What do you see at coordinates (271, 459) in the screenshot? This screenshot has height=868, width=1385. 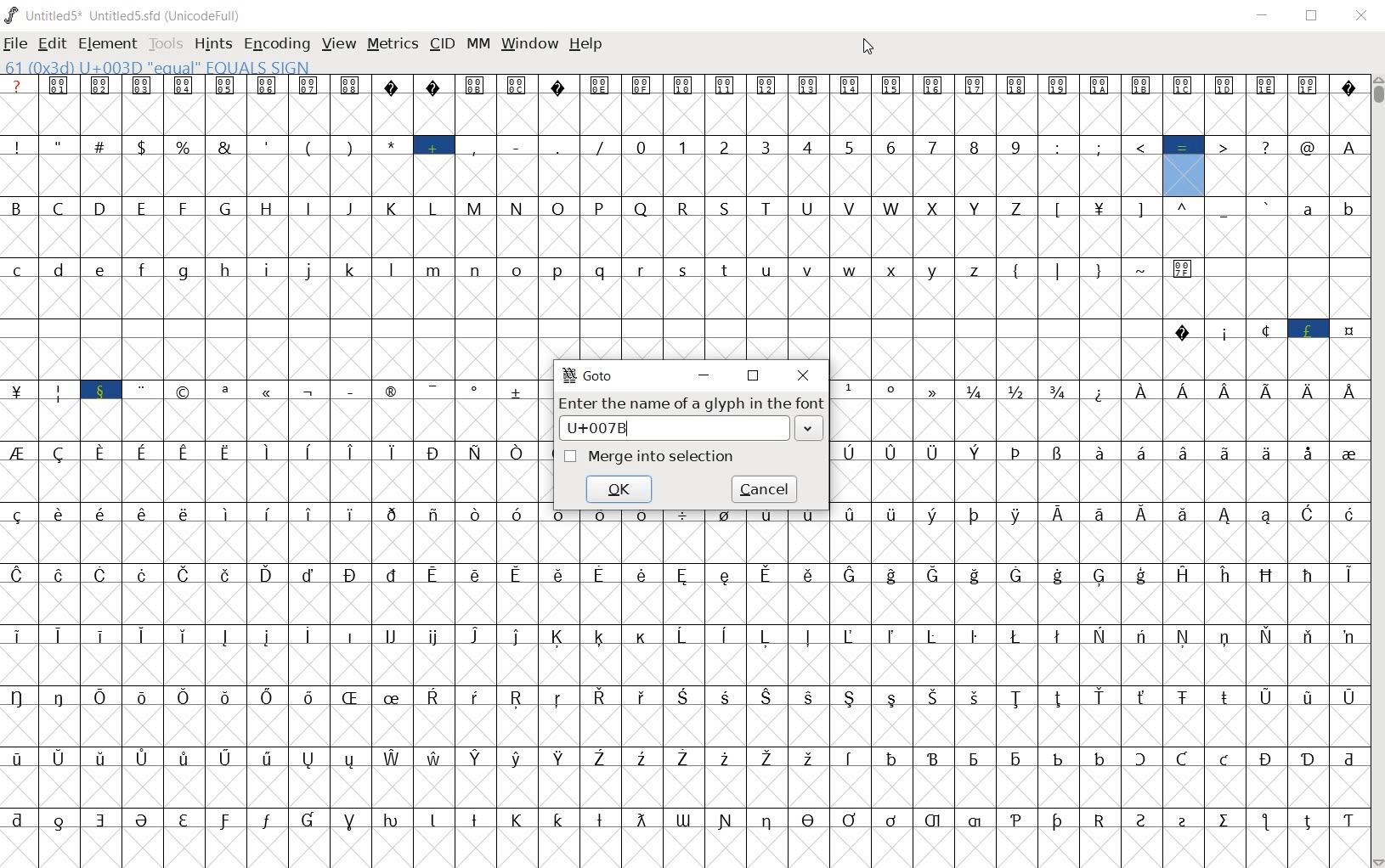 I see `glyphs` at bounding box center [271, 459].